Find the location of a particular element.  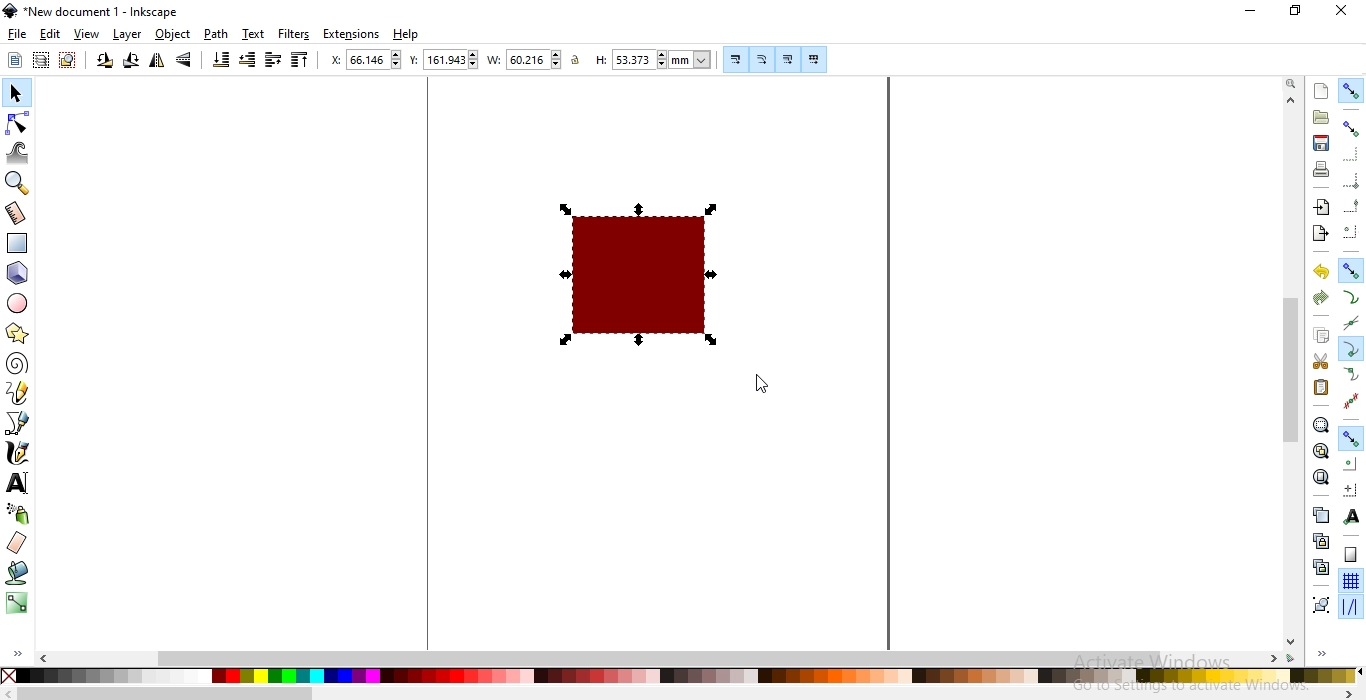

mm is located at coordinates (692, 59).